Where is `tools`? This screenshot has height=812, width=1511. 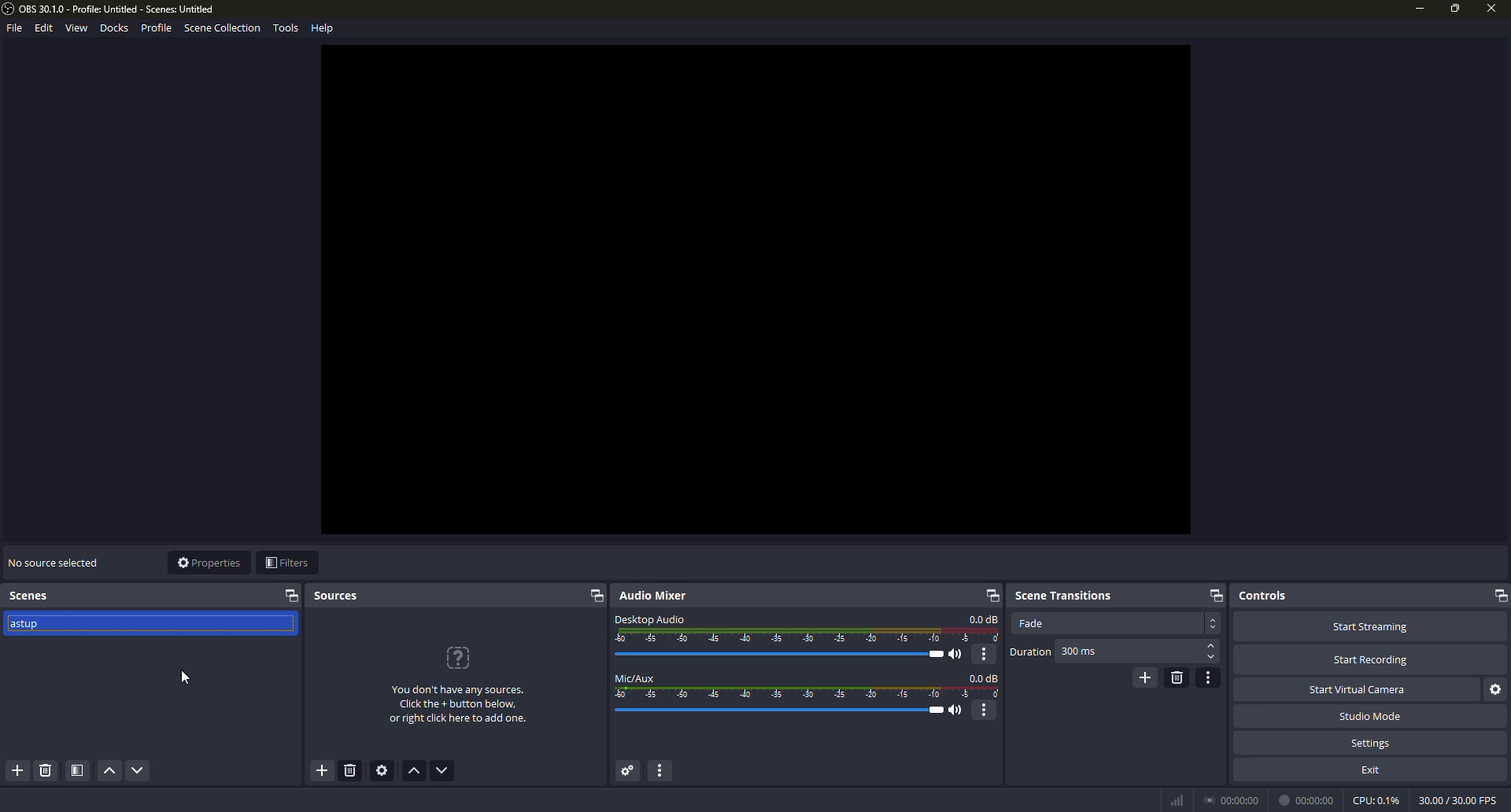
tools is located at coordinates (286, 29).